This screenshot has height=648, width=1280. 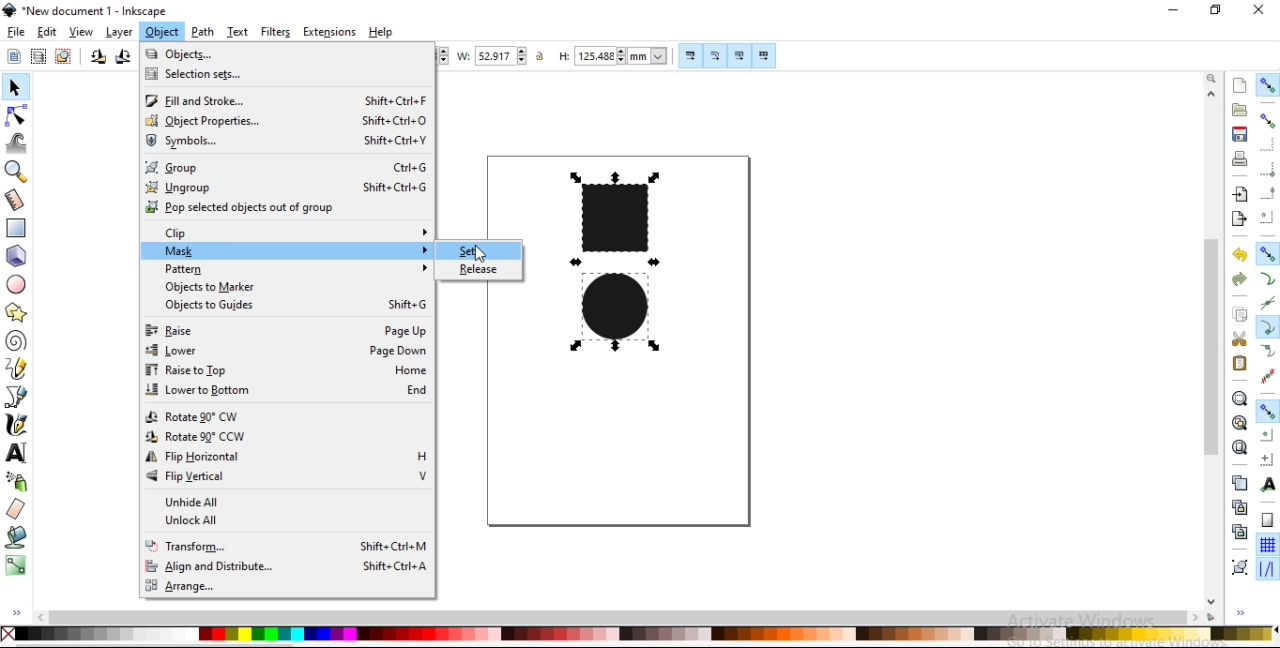 What do you see at coordinates (17, 510) in the screenshot?
I see `erase existing paths` at bounding box center [17, 510].